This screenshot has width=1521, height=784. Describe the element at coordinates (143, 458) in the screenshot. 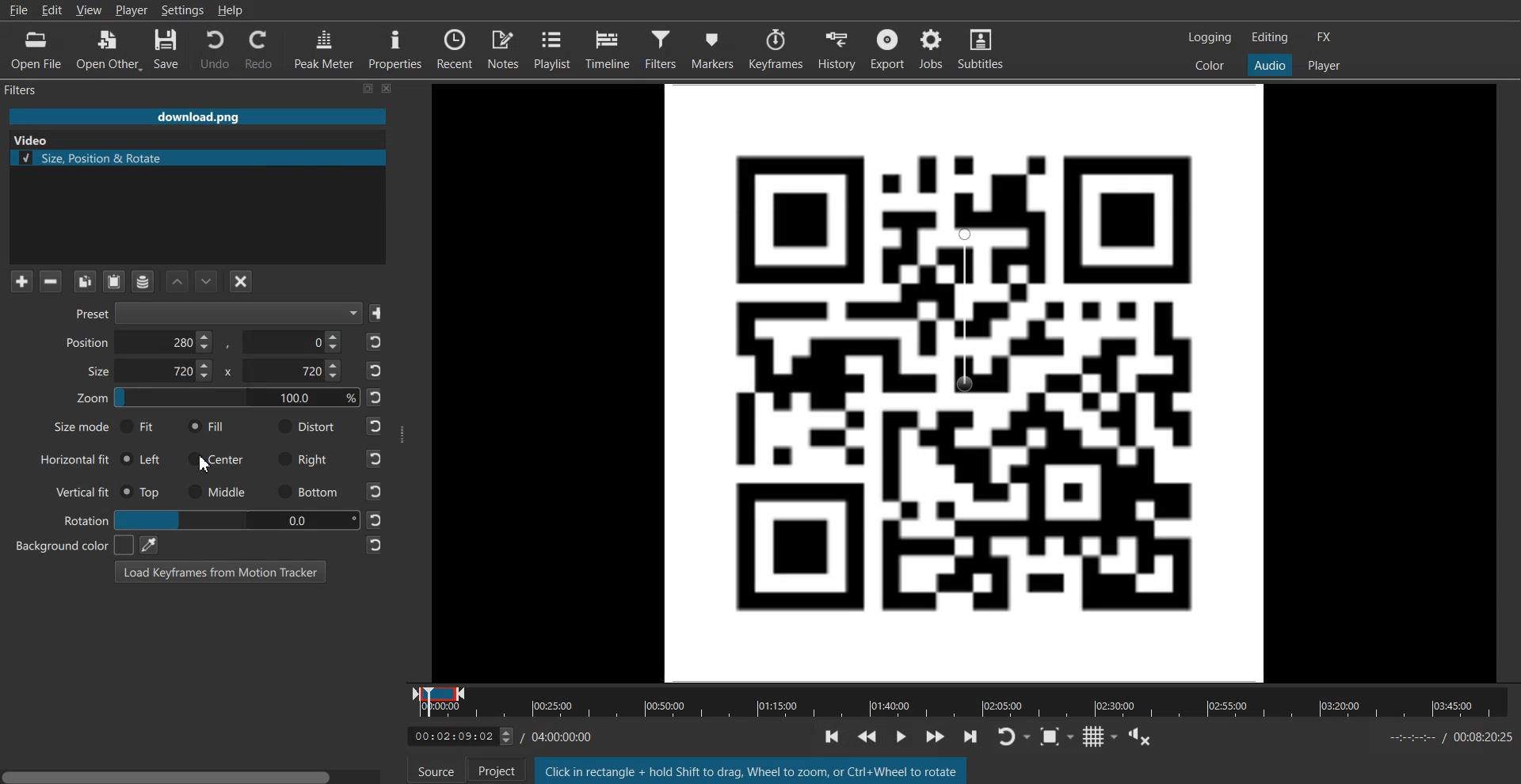

I see `Left` at that location.